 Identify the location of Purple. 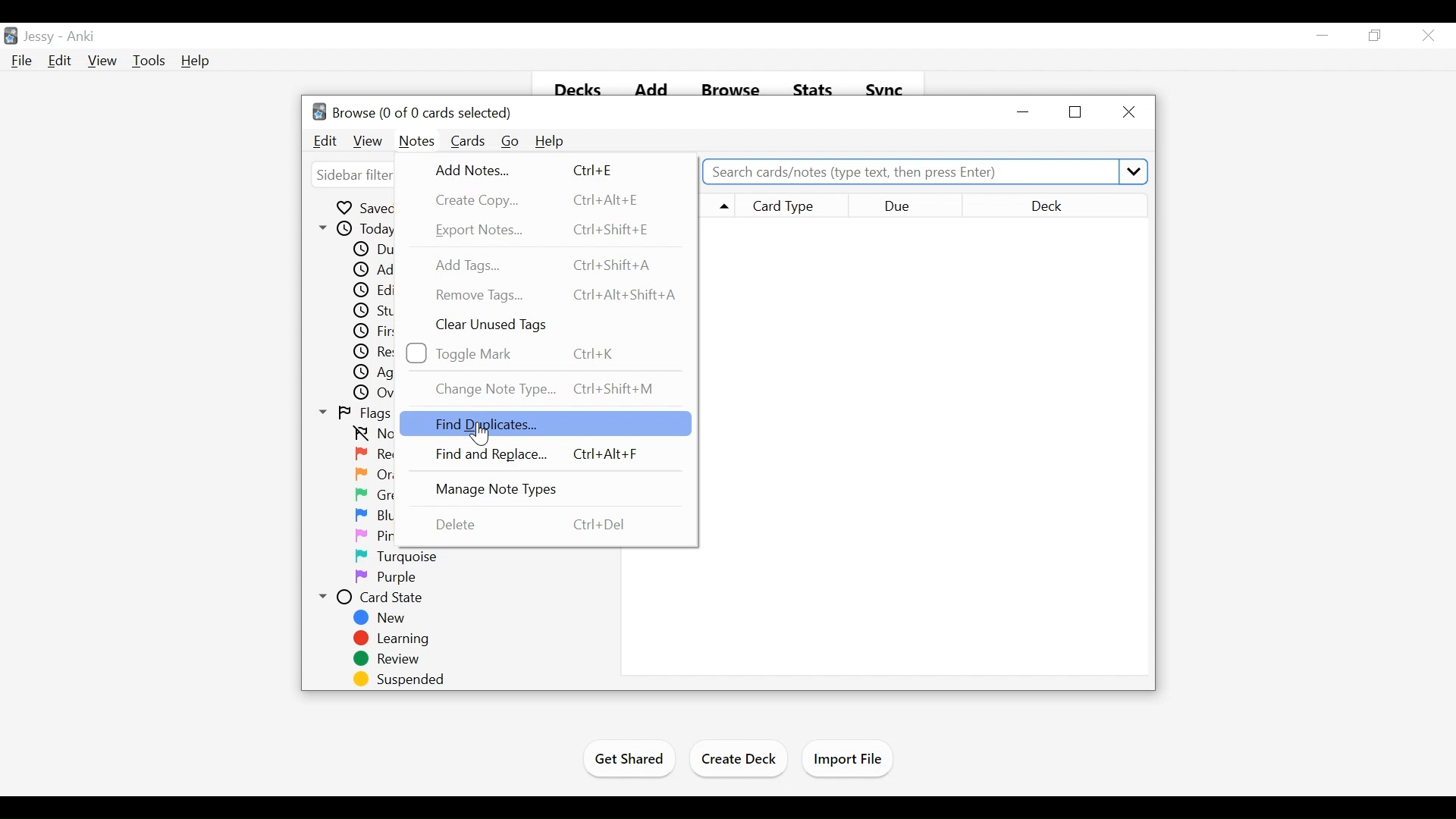
(385, 578).